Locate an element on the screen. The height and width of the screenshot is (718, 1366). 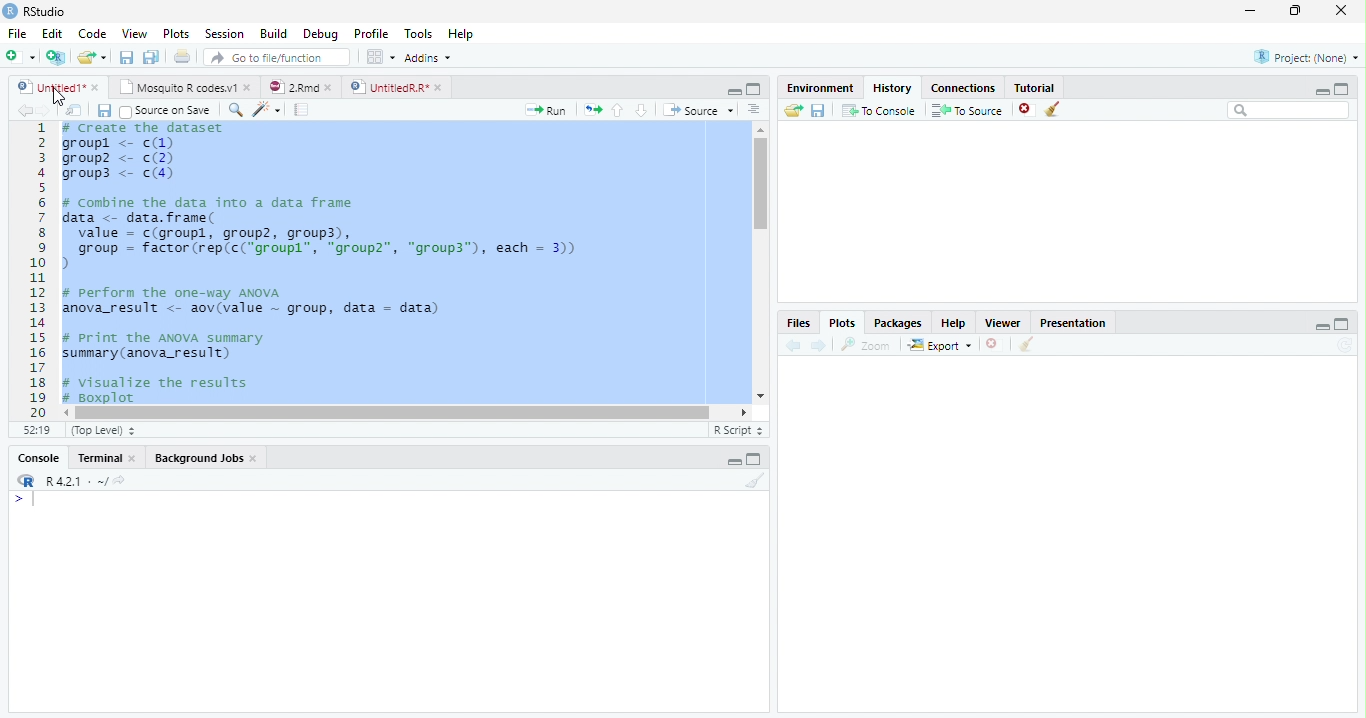
Go to previous section is located at coordinates (617, 109).